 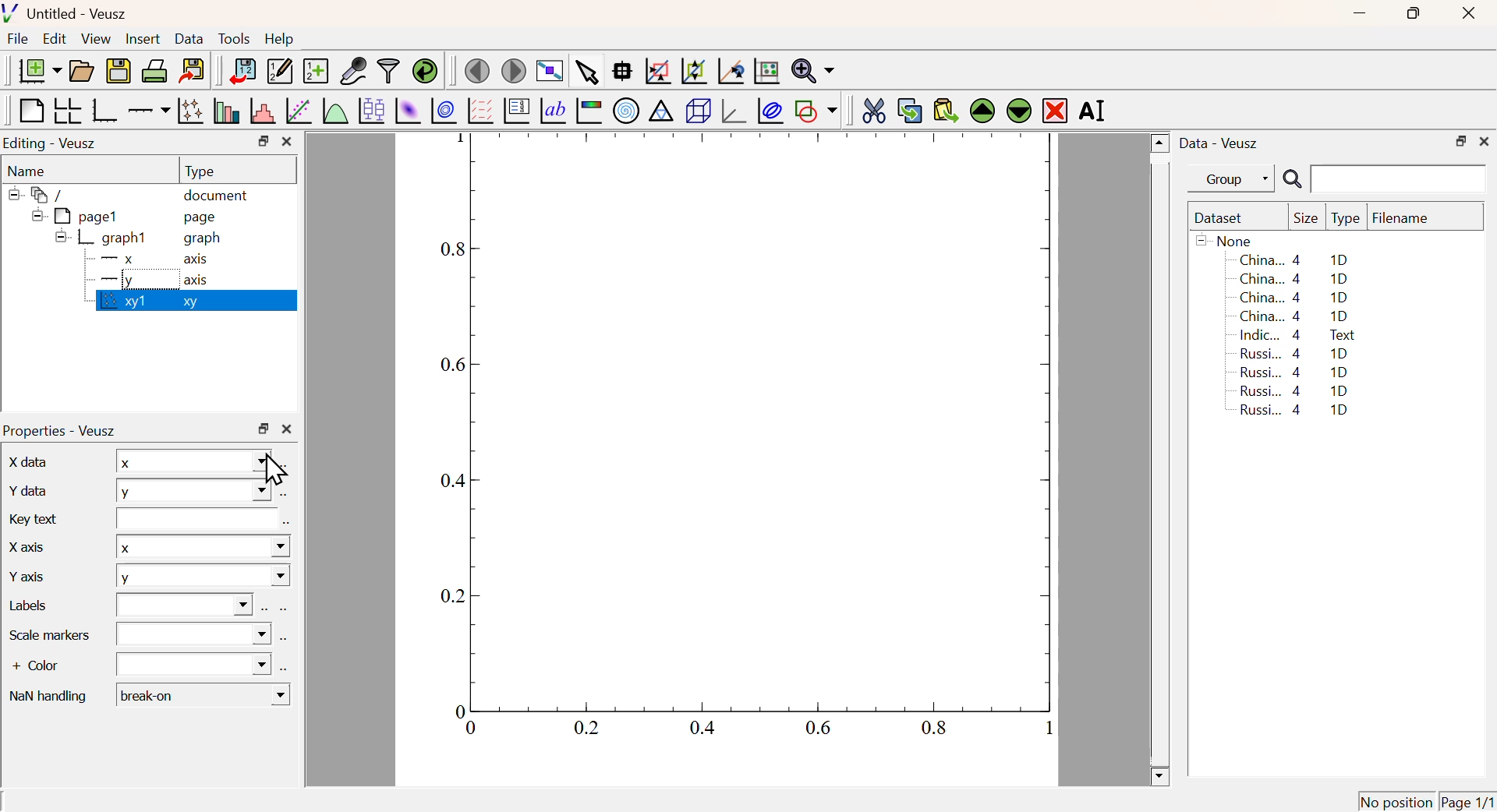 I want to click on Scale Marker, so click(x=50, y=634).